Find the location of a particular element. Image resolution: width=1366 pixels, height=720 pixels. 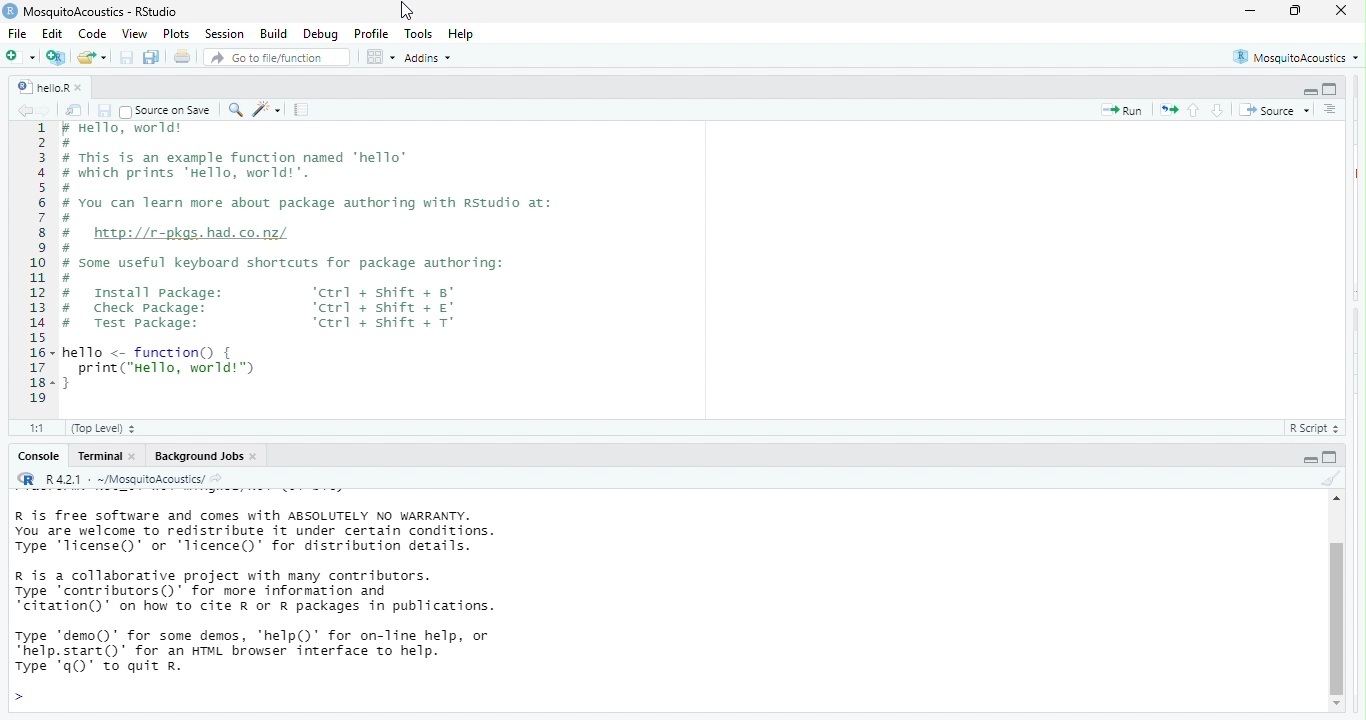

print the current file is located at coordinates (180, 57).